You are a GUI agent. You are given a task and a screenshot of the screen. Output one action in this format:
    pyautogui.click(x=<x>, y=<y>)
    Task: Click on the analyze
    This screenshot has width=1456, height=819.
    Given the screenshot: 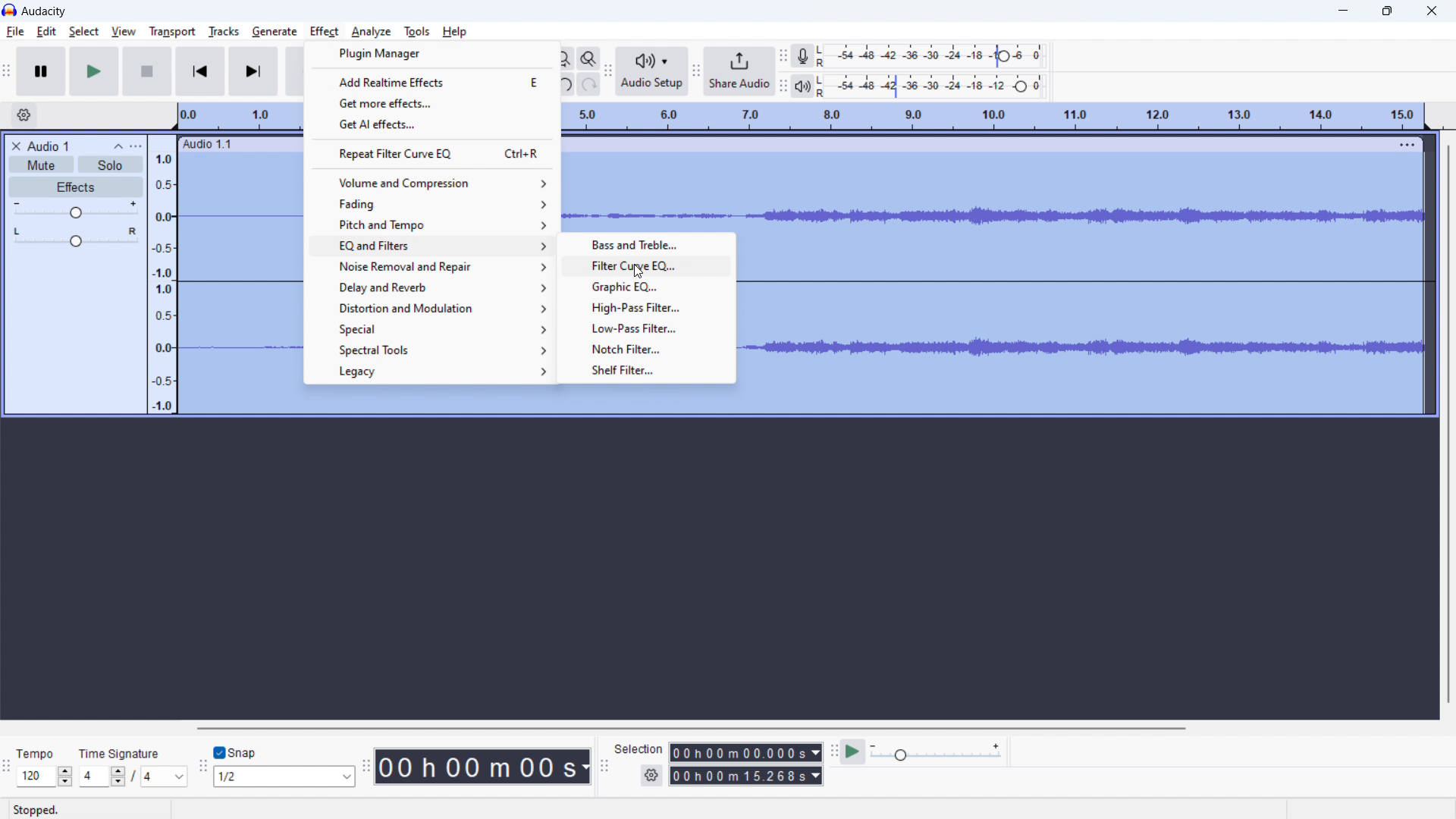 What is the action you would take?
    pyautogui.click(x=373, y=31)
    